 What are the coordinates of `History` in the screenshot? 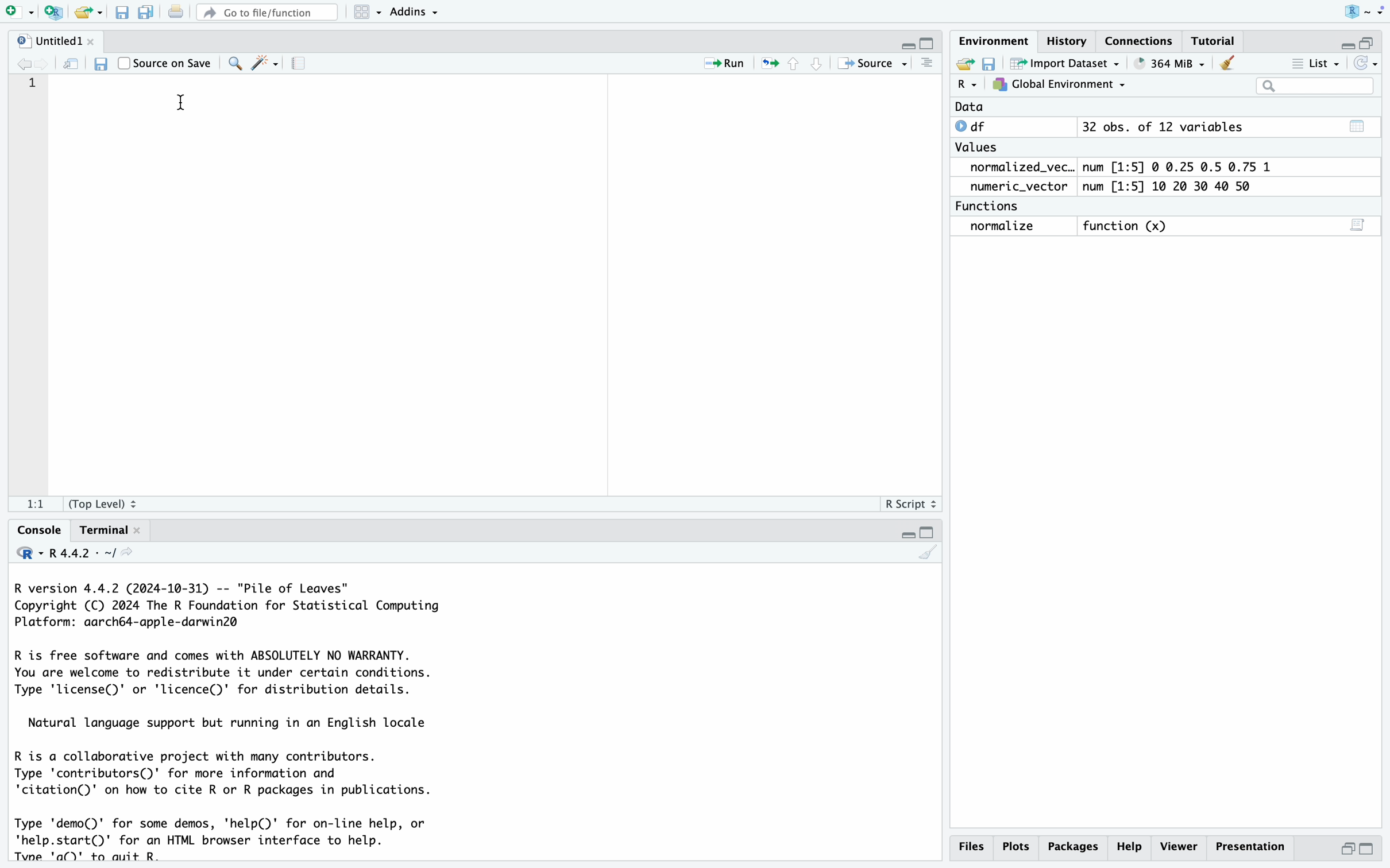 It's located at (1068, 44).